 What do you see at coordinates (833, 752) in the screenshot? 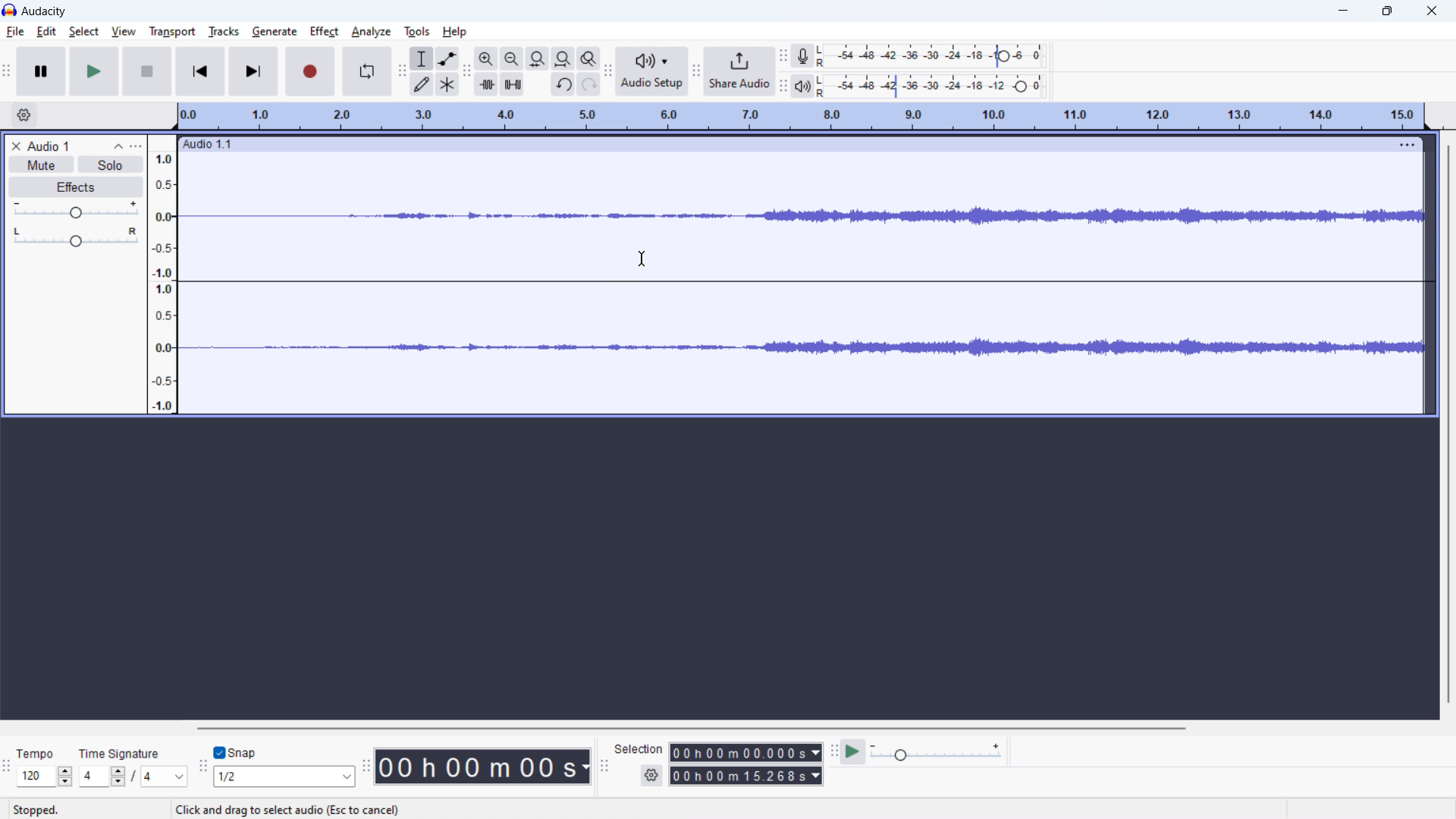
I see `play at speed toolbar` at bounding box center [833, 752].